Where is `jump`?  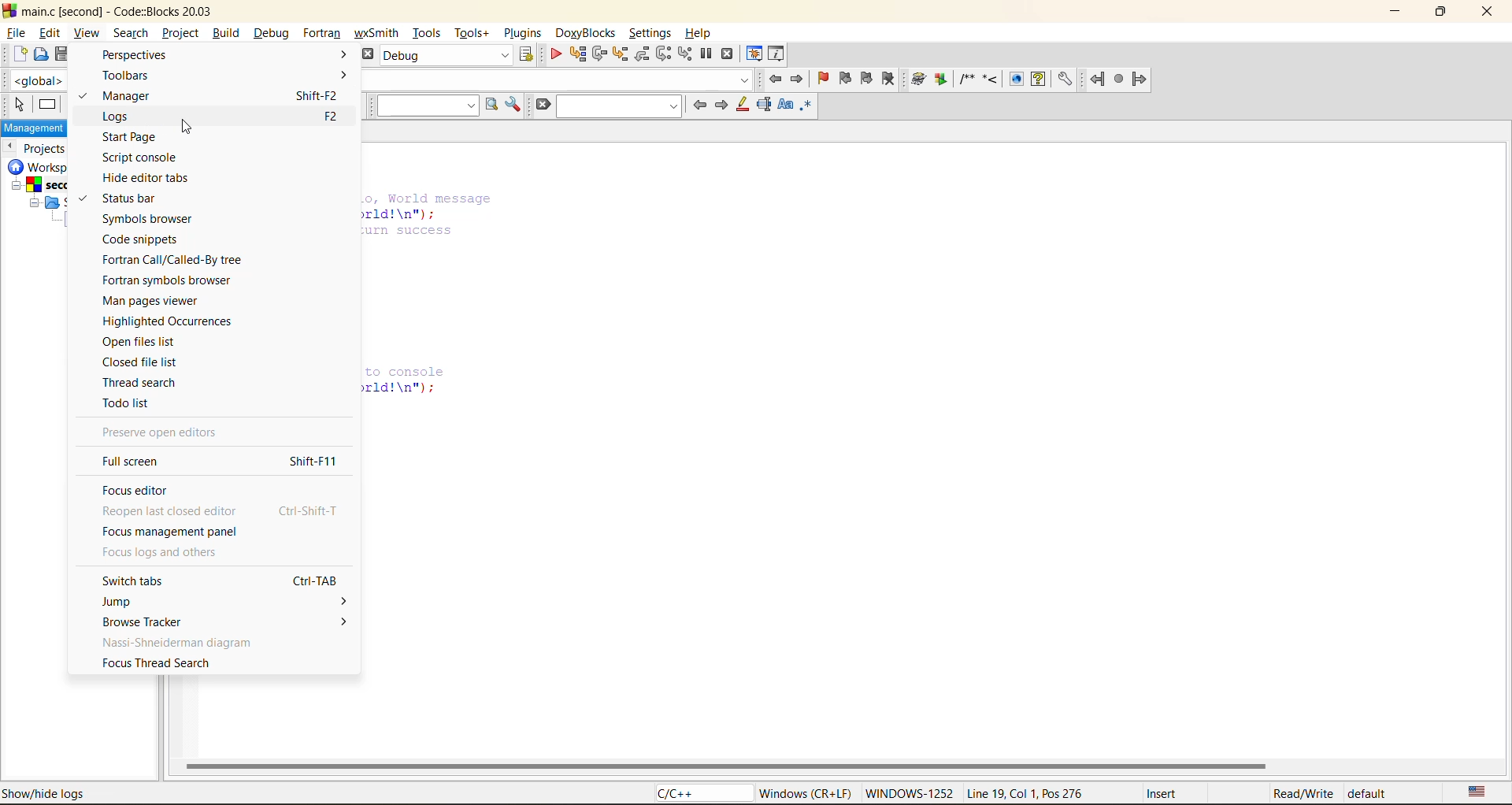 jump is located at coordinates (130, 601).